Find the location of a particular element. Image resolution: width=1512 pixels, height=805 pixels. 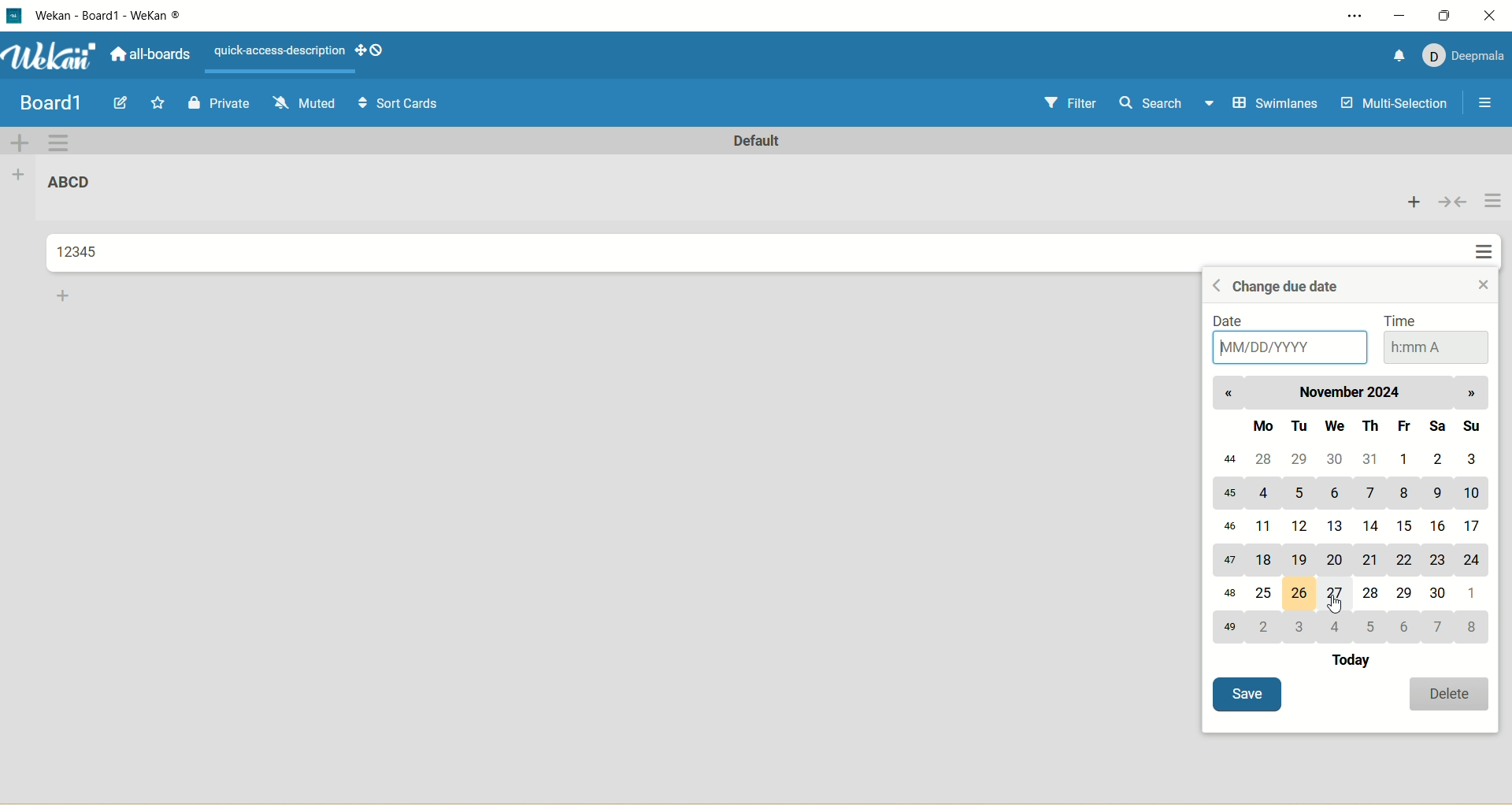

wekan is located at coordinates (55, 57).